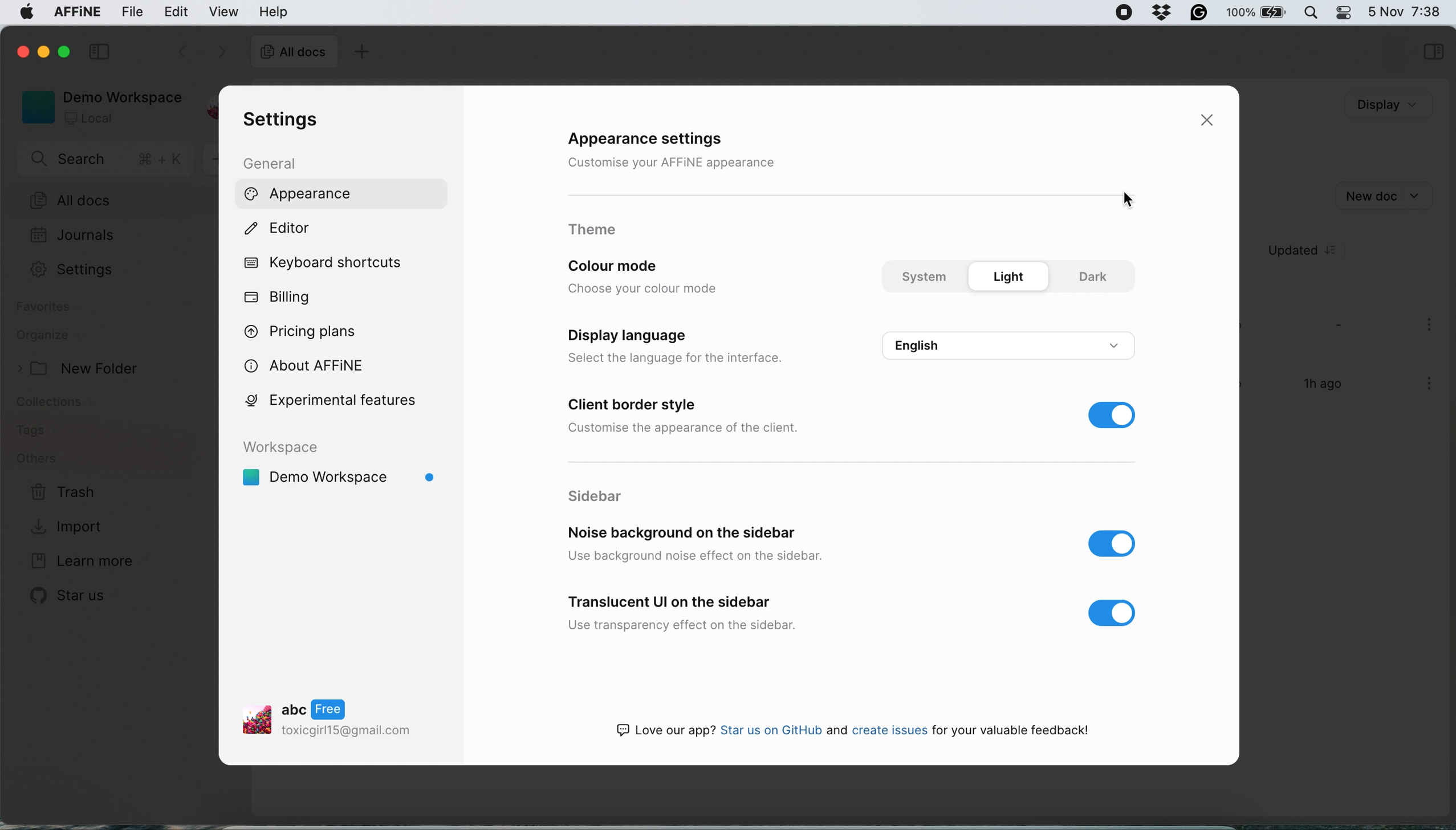 Image resolution: width=1456 pixels, height=830 pixels. I want to click on go backwards, so click(181, 54).